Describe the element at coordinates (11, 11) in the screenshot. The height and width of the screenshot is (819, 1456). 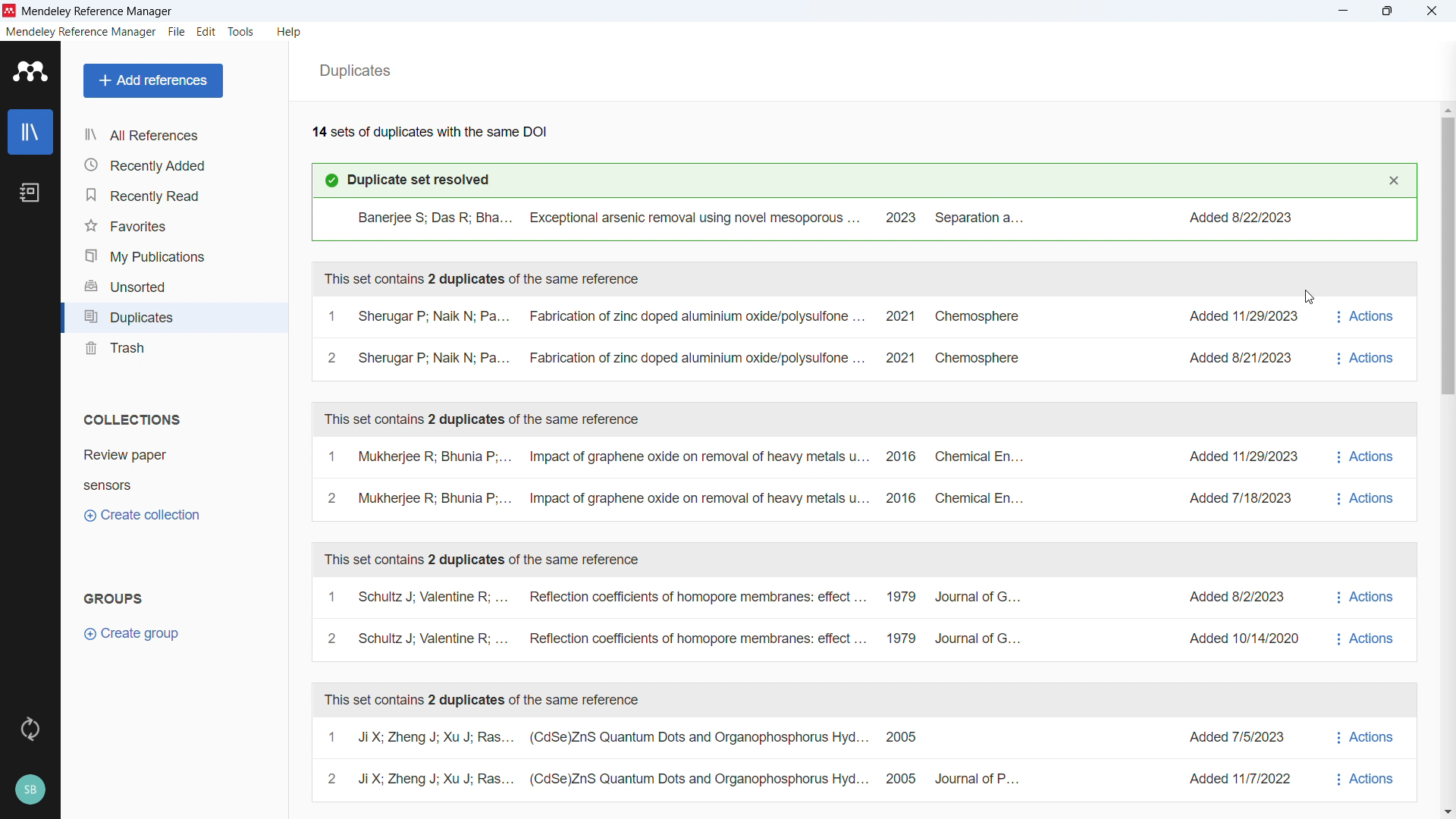
I see `Logo ` at that location.